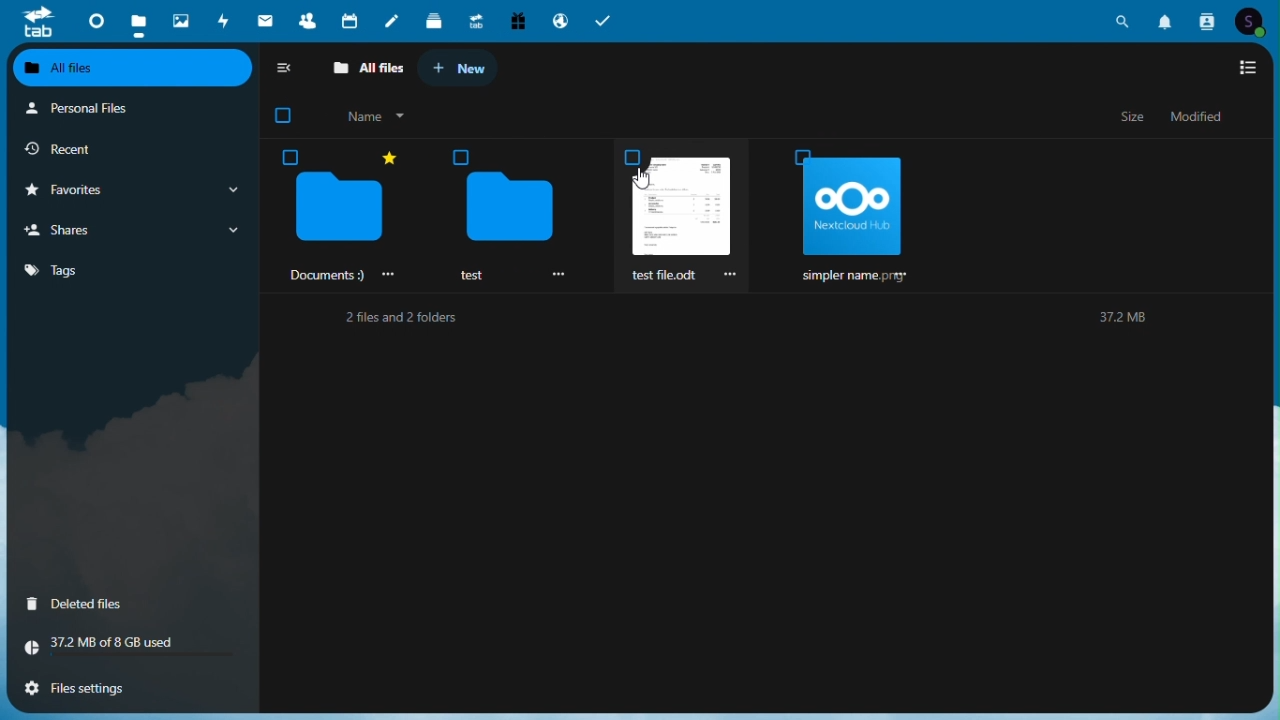  Describe the element at coordinates (305, 19) in the screenshot. I see `Contacts` at that location.